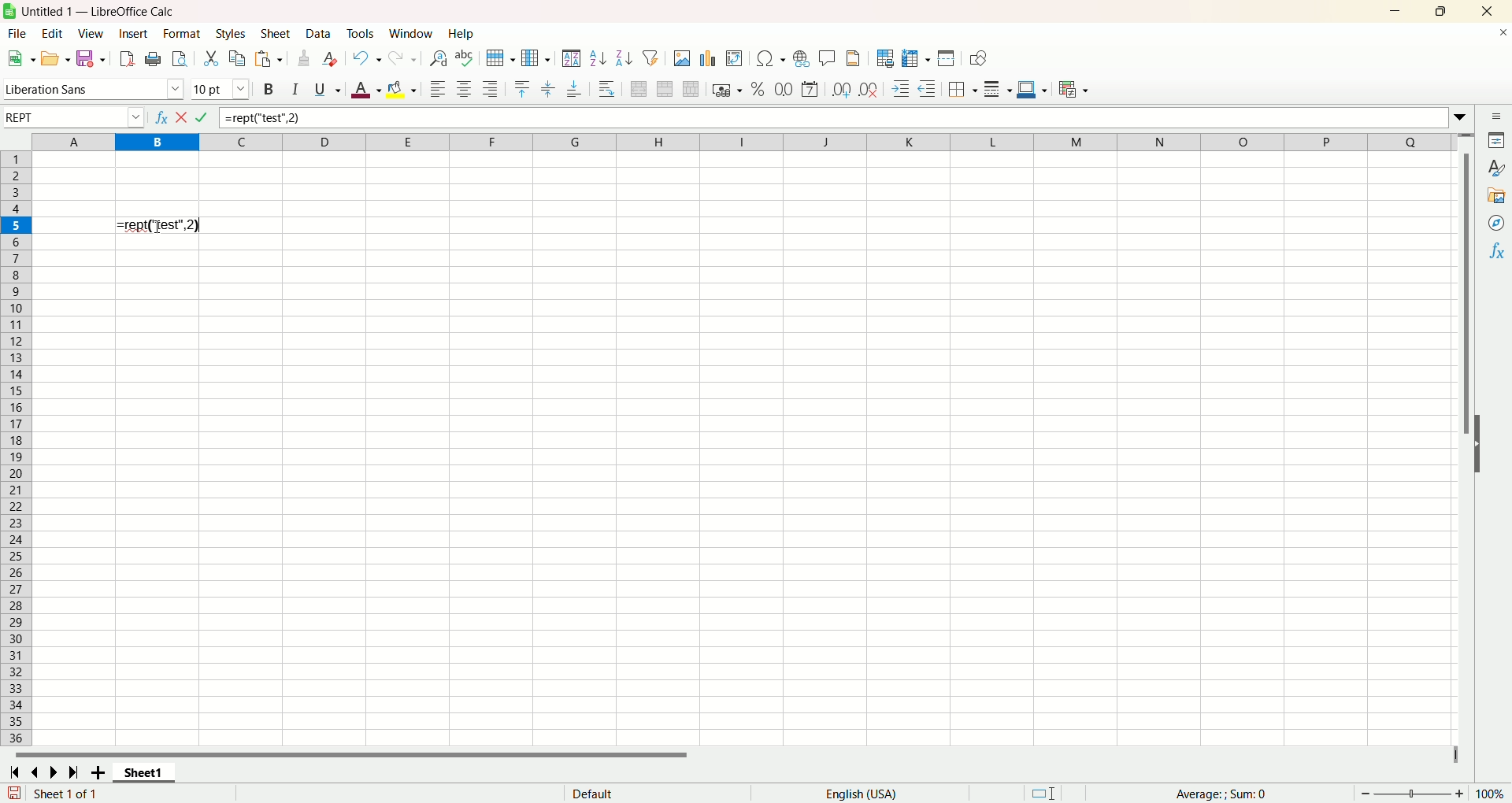 The width and height of the screenshot is (1512, 803). I want to click on scroll to last page, so click(74, 772).